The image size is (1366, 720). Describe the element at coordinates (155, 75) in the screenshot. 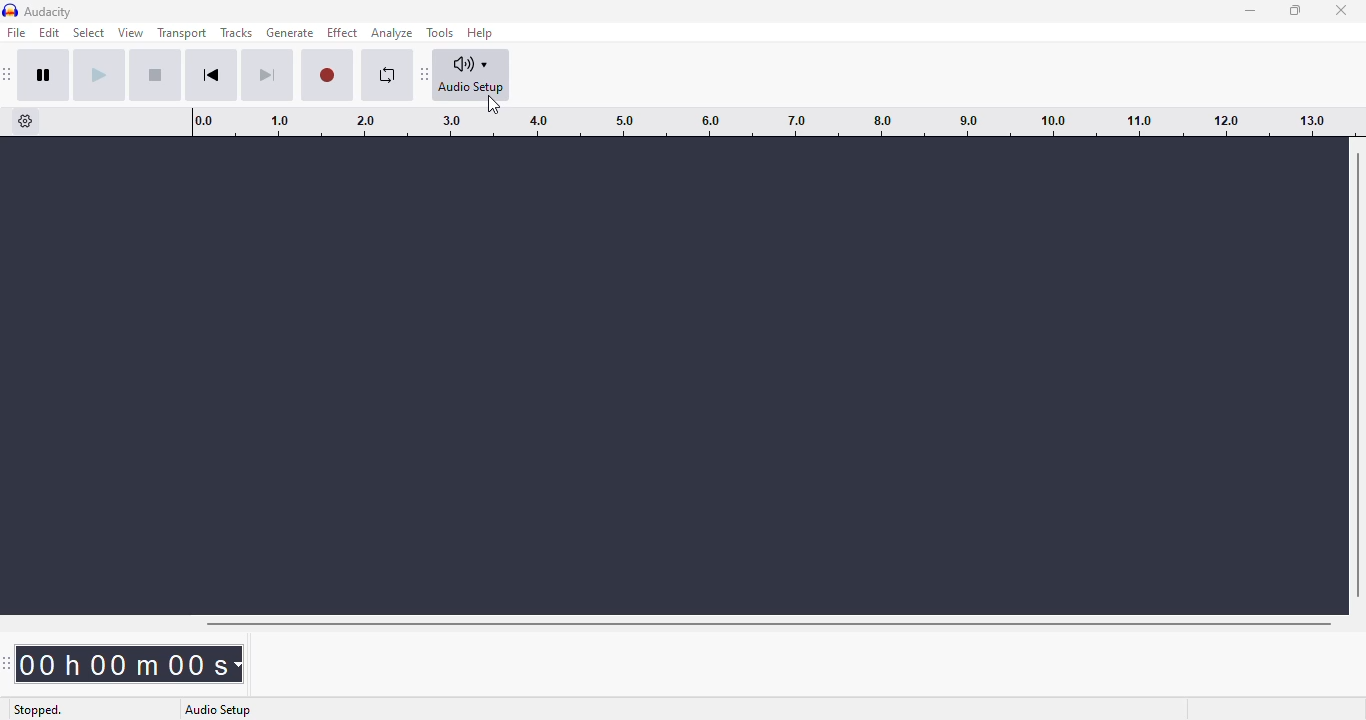

I see `stop` at that location.